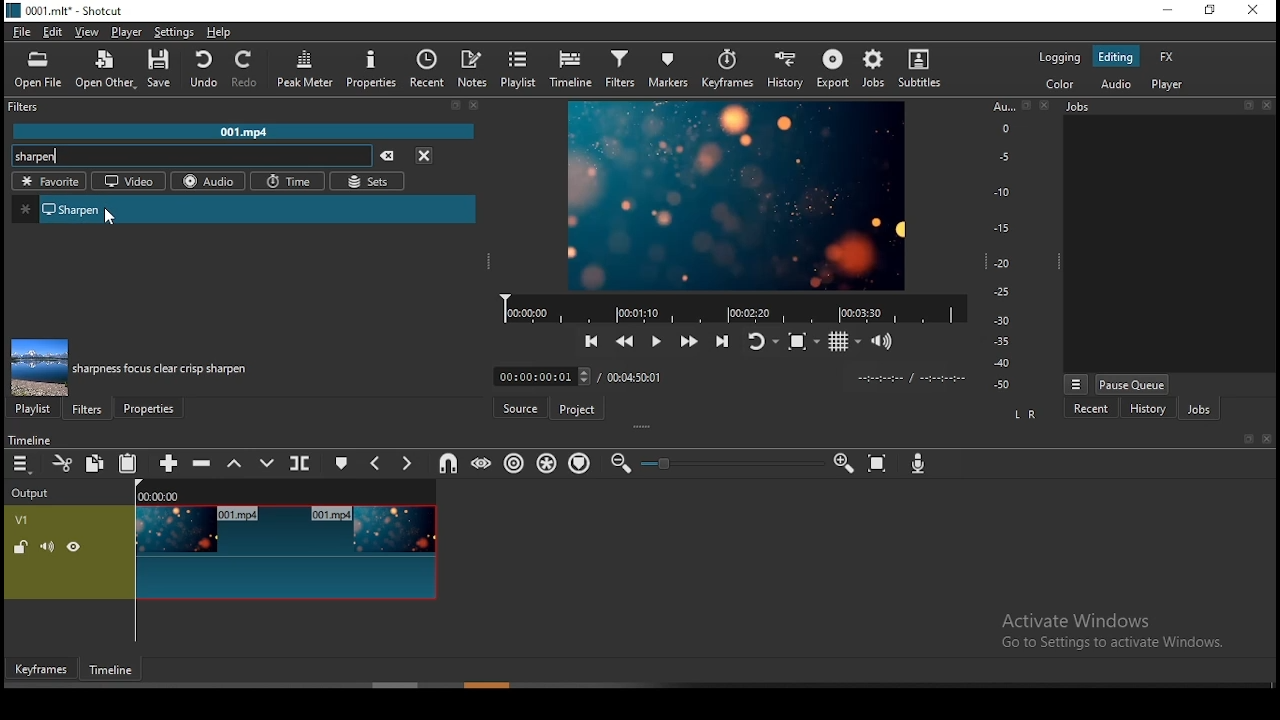  Describe the element at coordinates (161, 368) in the screenshot. I see `sharpness focus clear crisp sharpen` at that location.